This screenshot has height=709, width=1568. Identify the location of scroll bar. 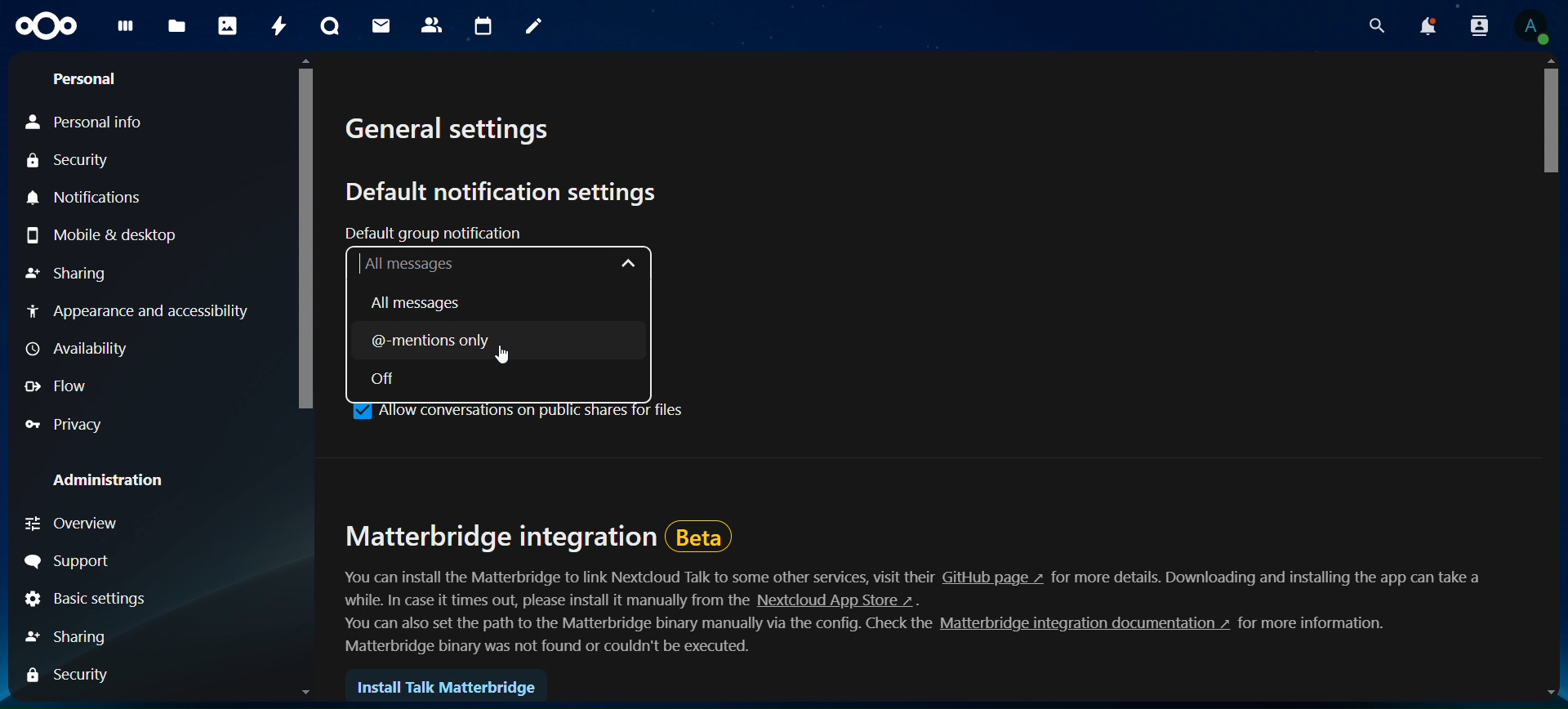
(1553, 378).